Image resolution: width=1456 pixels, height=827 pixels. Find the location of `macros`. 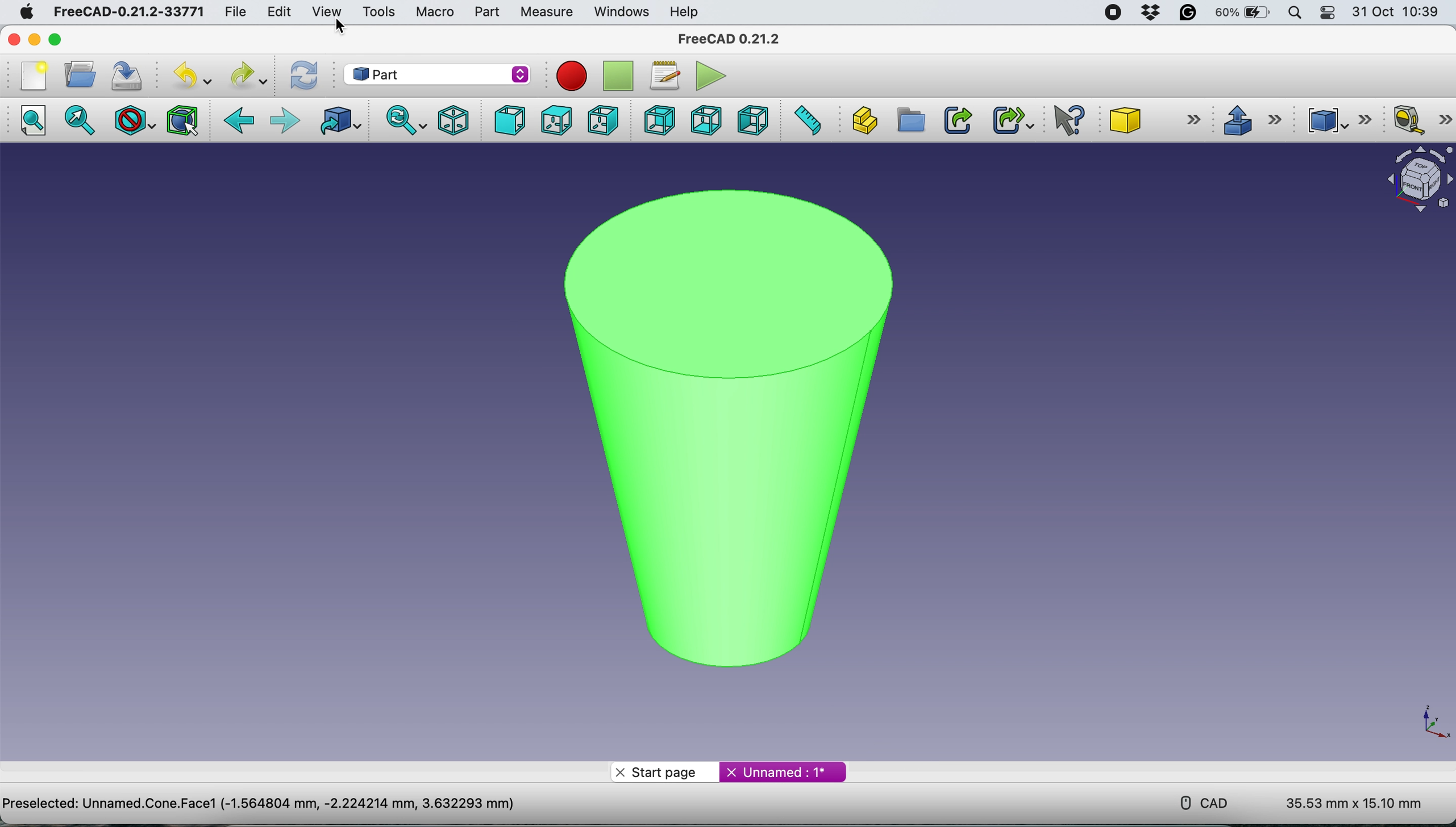

macros is located at coordinates (664, 73).